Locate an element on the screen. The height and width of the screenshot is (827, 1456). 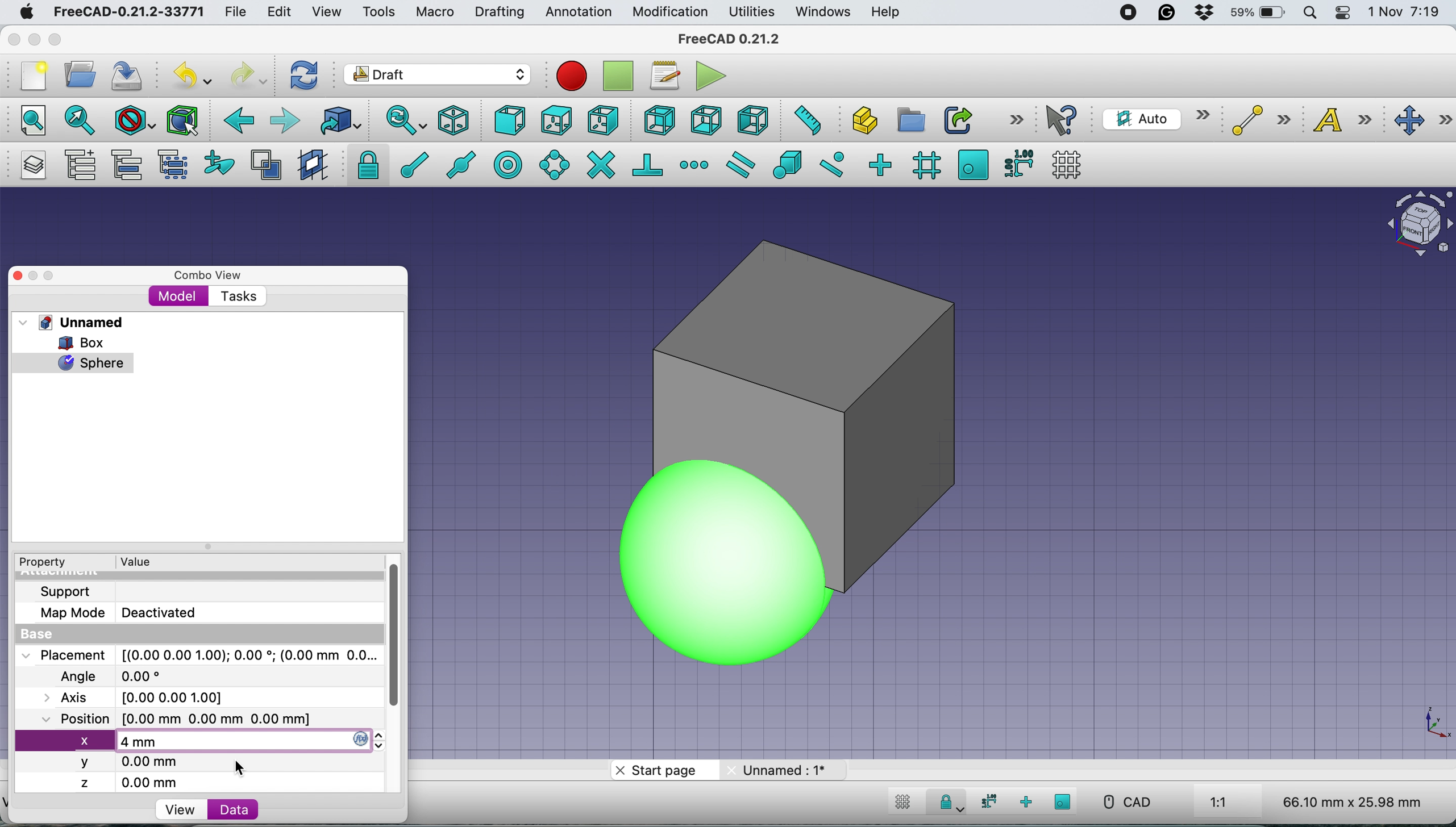
aspect ratio is located at coordinates (1219, 803).